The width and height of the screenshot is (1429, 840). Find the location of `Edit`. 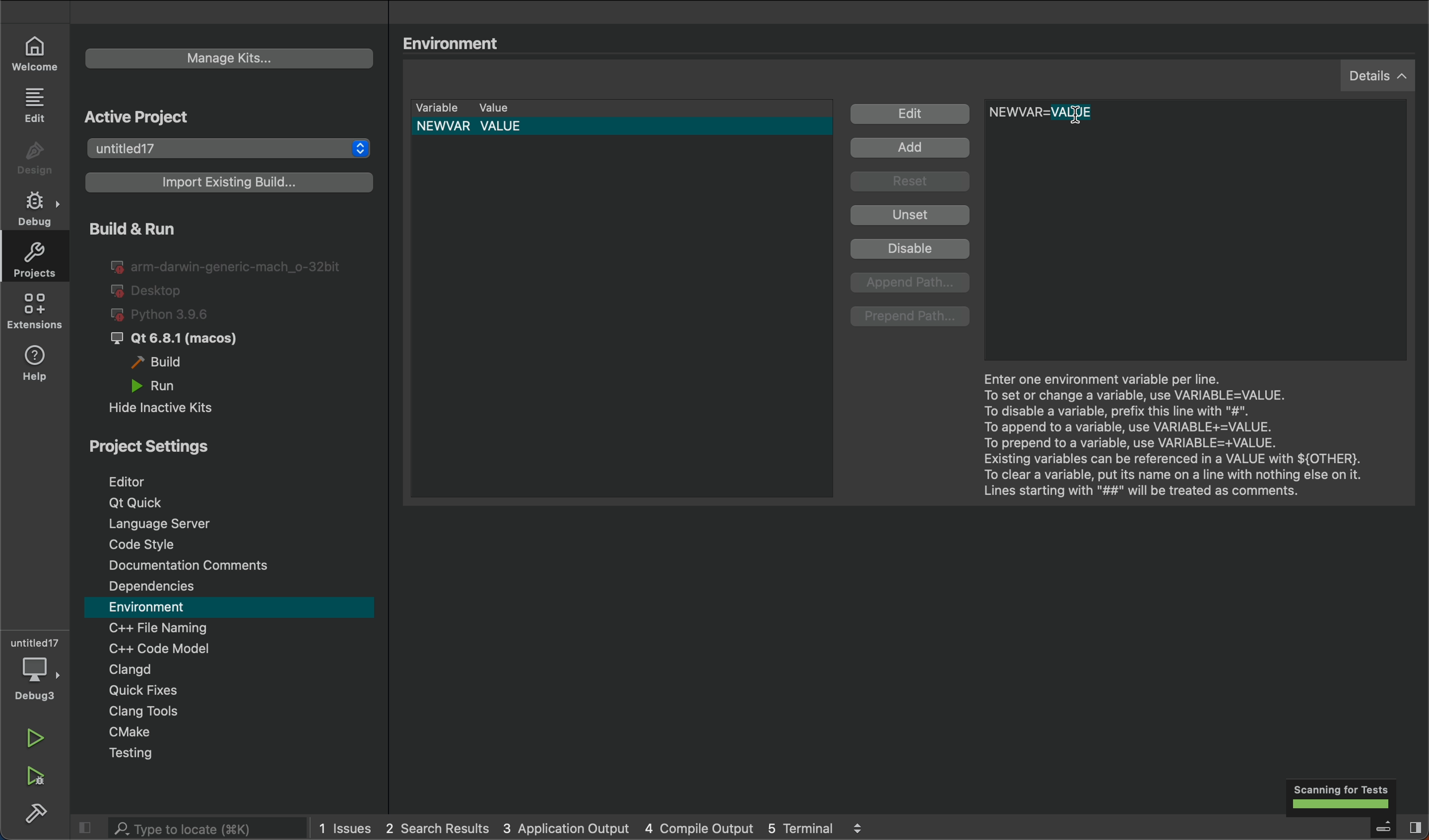

Edit is located at coordinates (912, 115).